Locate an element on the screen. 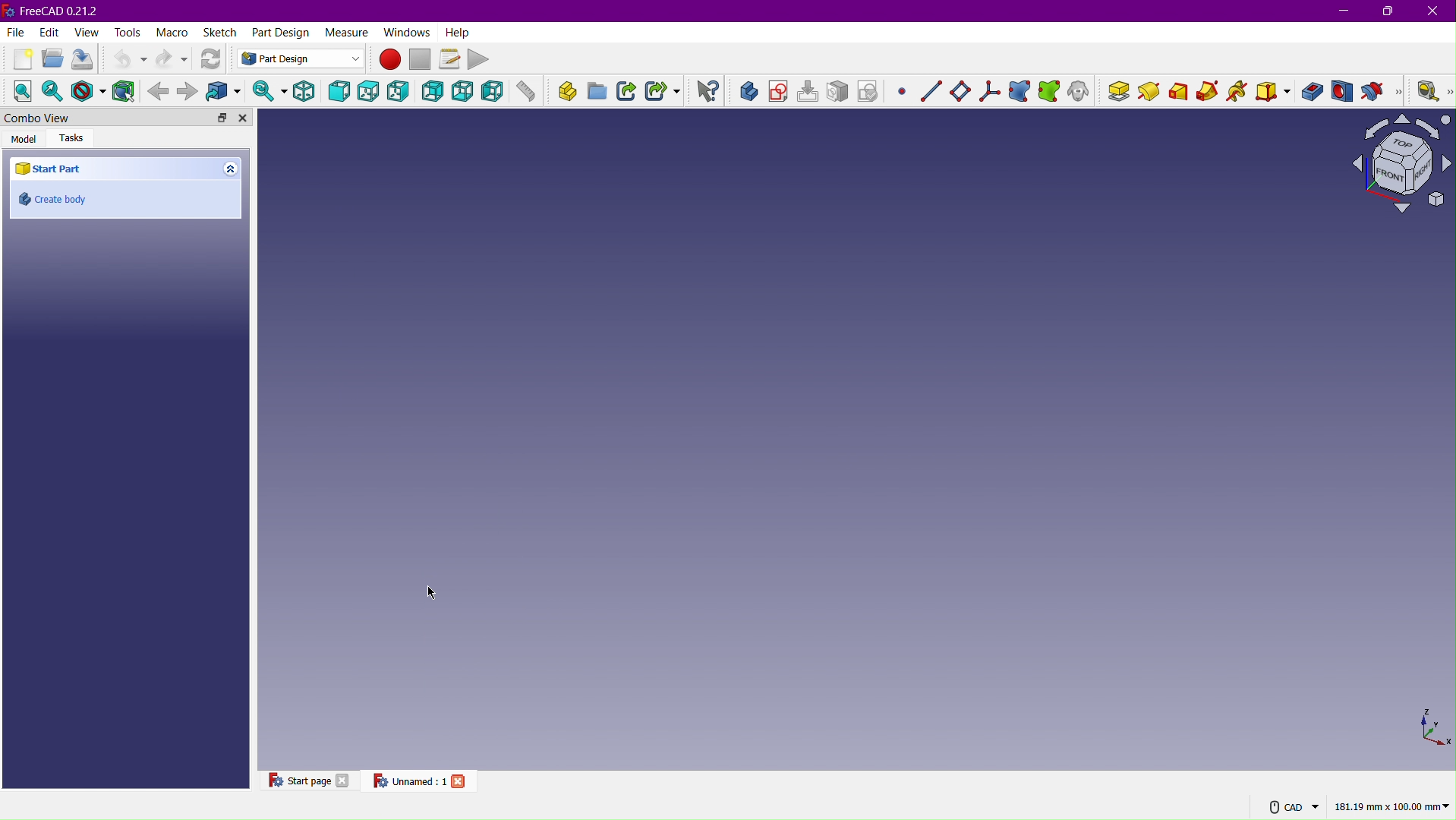 The height and width of the screenshot is (820, 1456). What's this? is located at coordinates (707, 93).